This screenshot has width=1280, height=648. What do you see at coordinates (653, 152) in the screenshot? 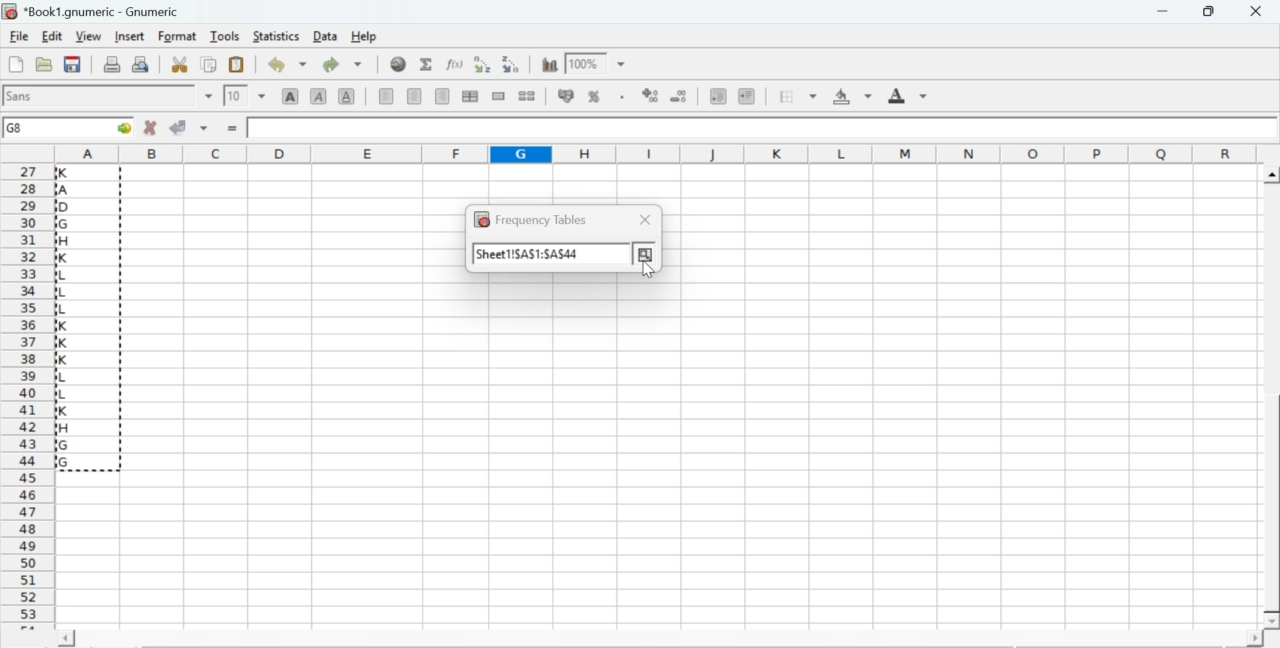
I see `column names` at bounding box center [653, 152].